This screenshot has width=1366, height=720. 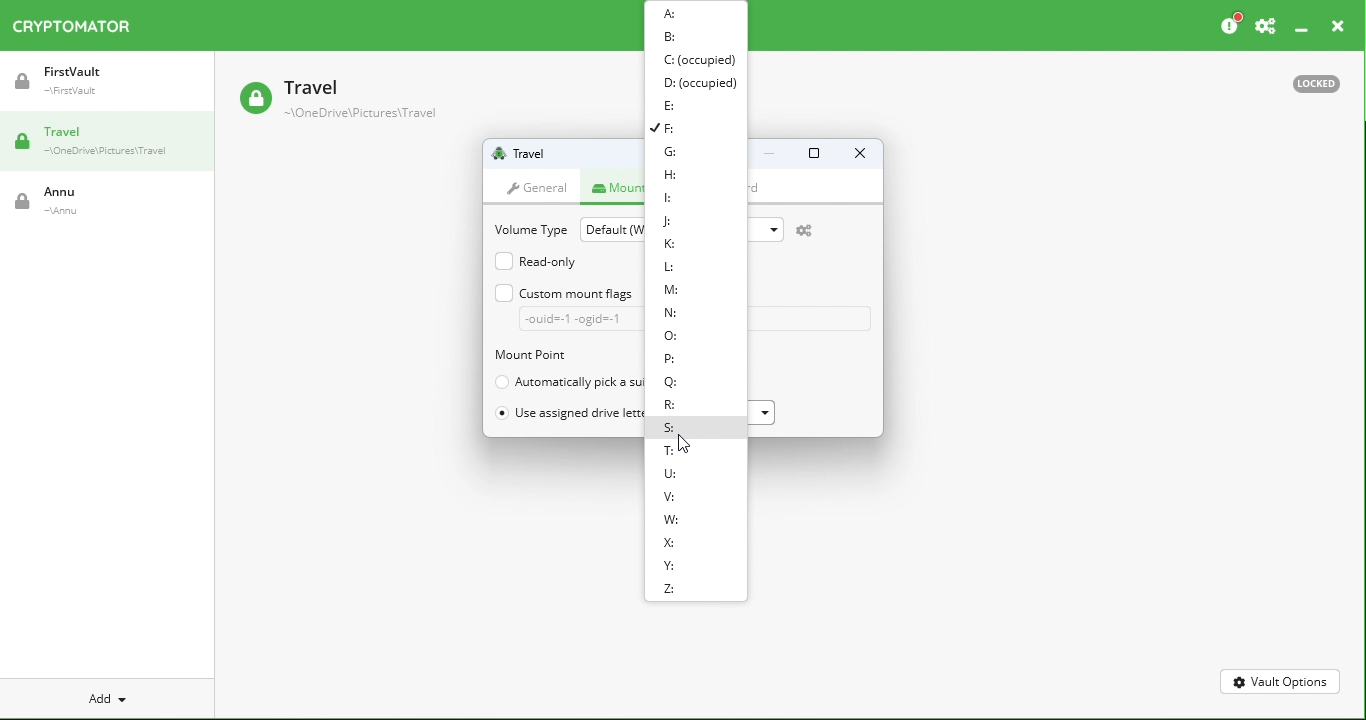 What do you see at coordinates (672, 475) in the screenshot?
I see `U:` at bounding box center [672, 475].